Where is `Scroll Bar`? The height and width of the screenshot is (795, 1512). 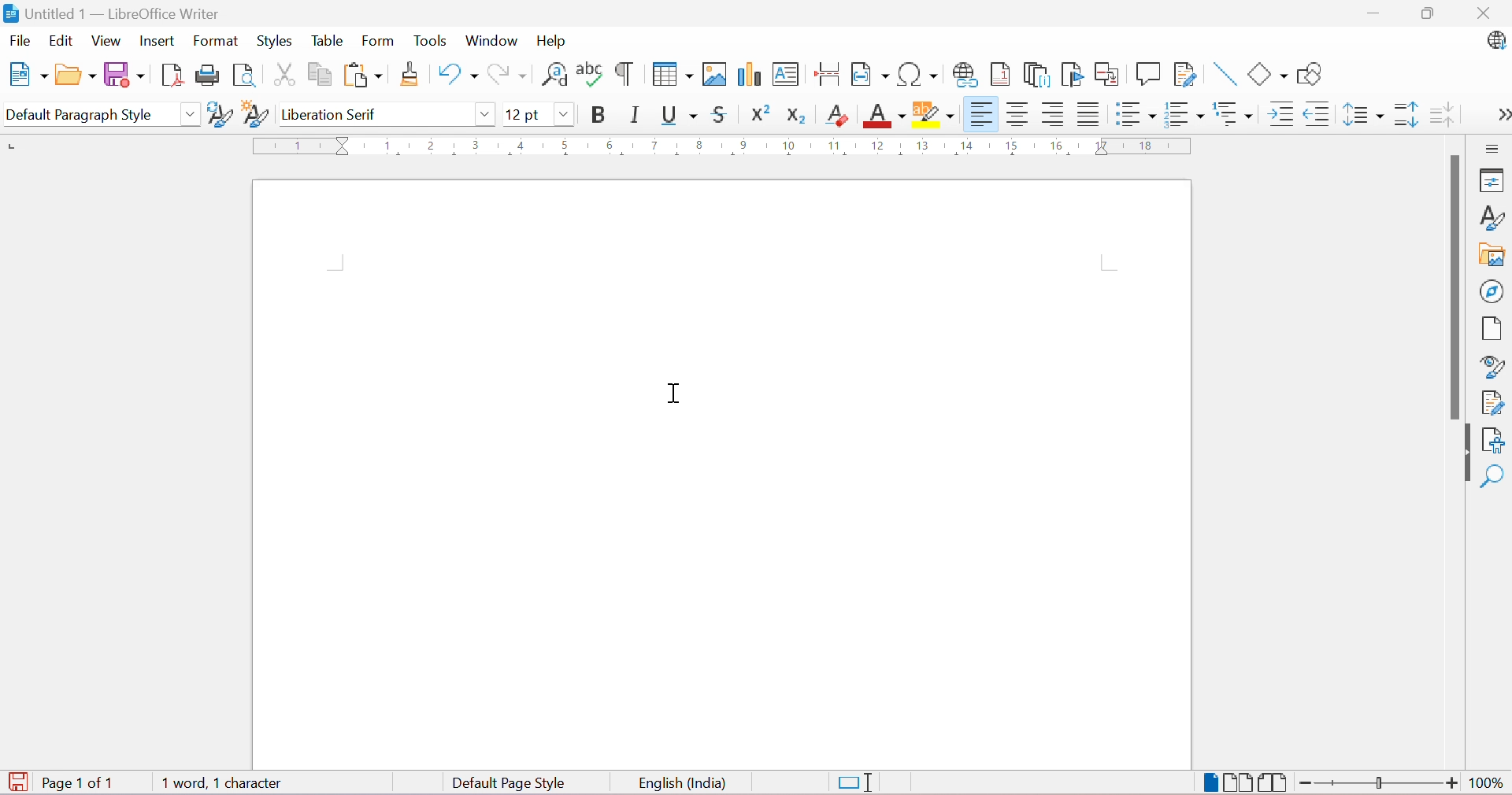 Scroll Bar is located at coordinates (1452, 287).